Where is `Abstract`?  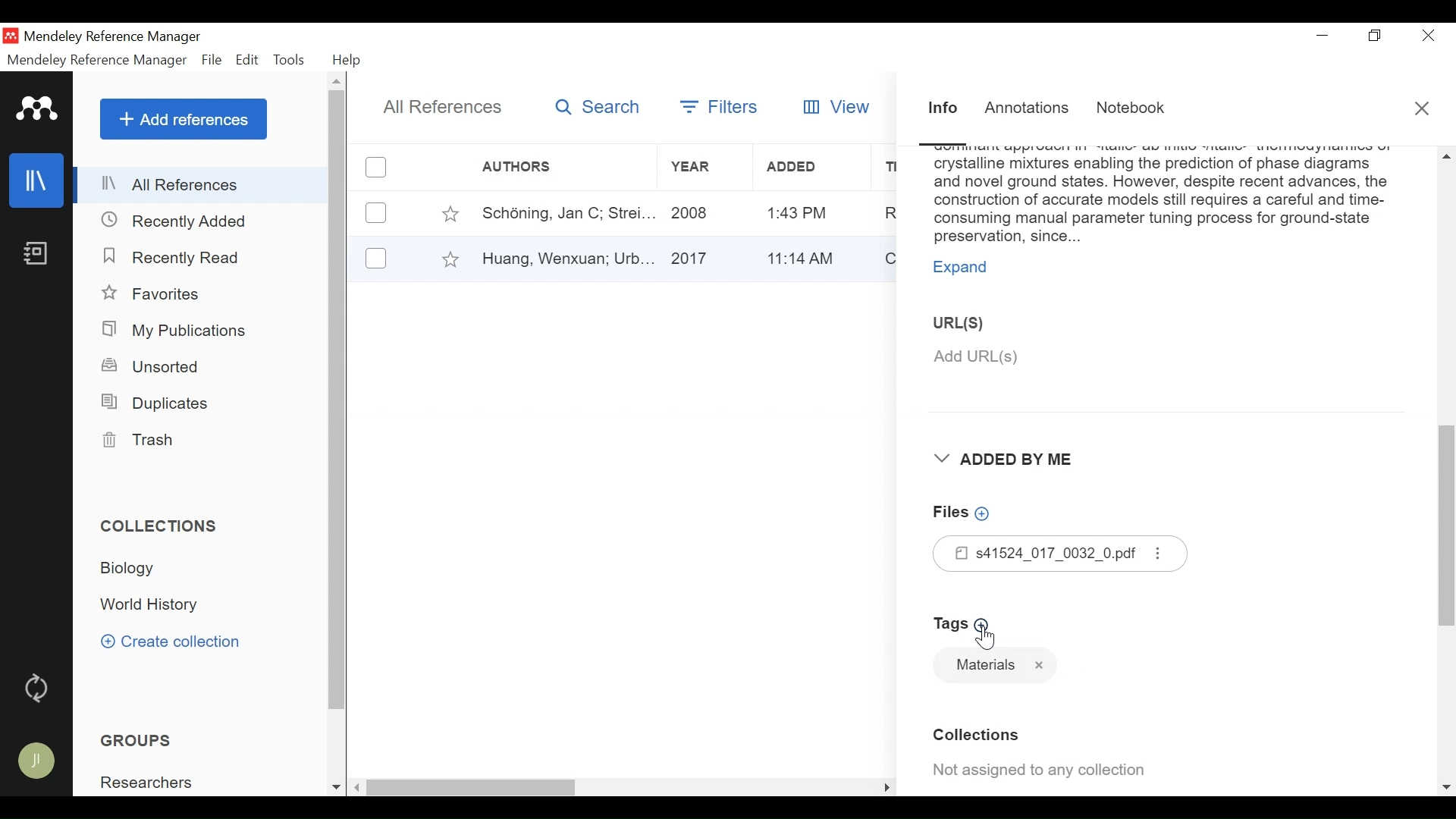 Abstract is located at coordinates (1162, 197).